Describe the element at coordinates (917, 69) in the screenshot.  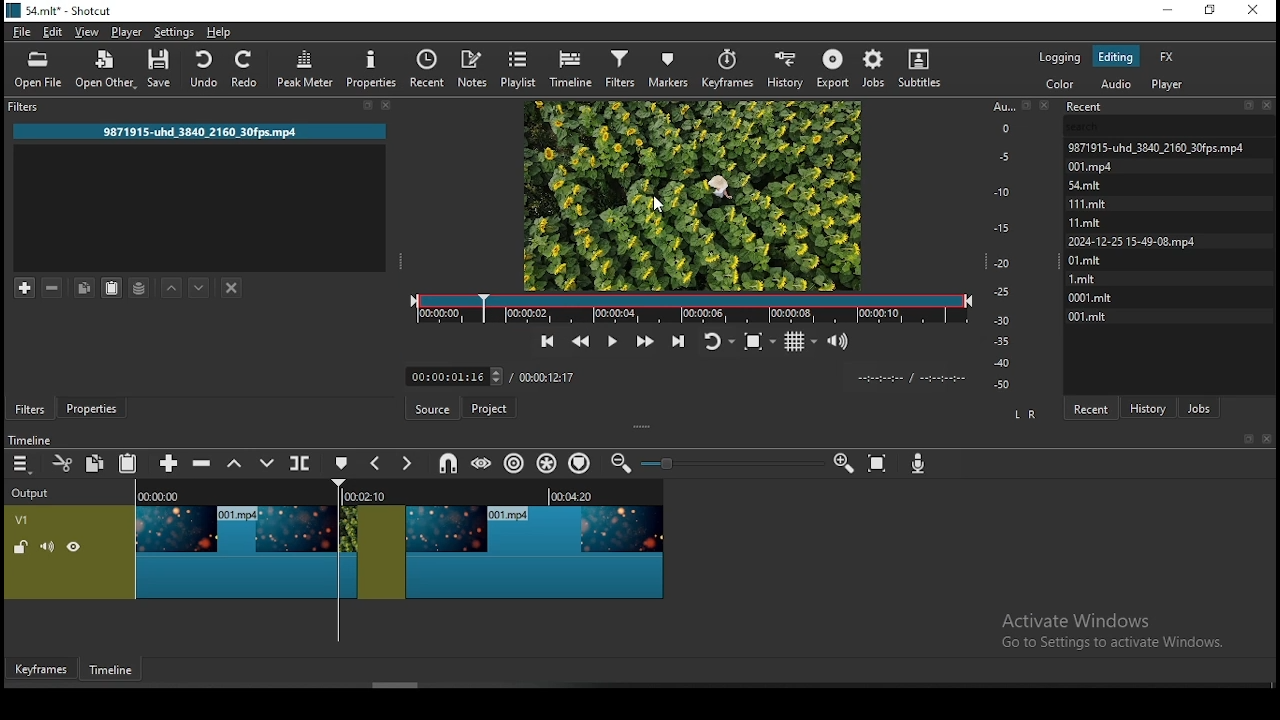
I see `subtitles` at that location.